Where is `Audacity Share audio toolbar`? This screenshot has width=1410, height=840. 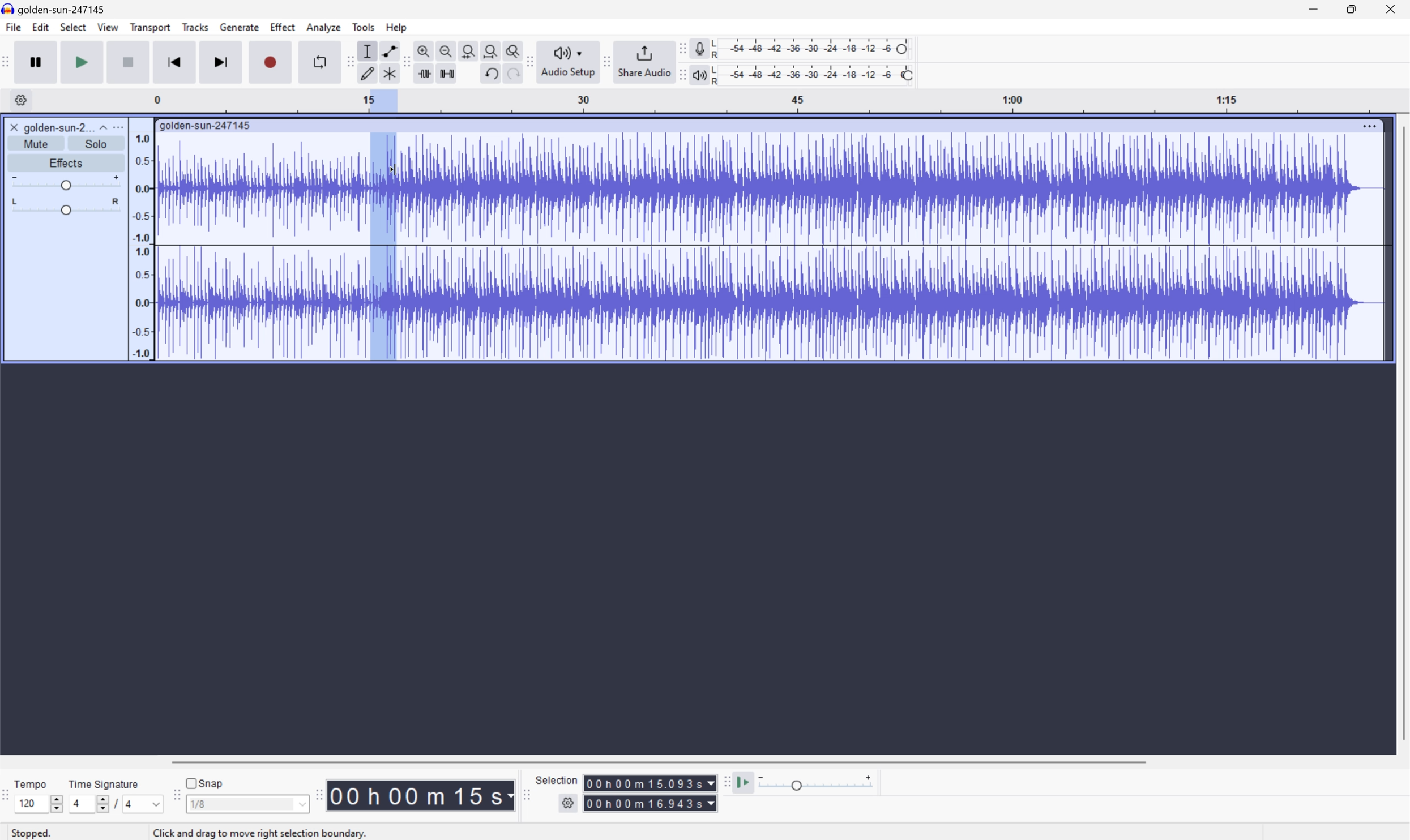
Audacity Share audio toolbar is located at coordinates (607, 60).